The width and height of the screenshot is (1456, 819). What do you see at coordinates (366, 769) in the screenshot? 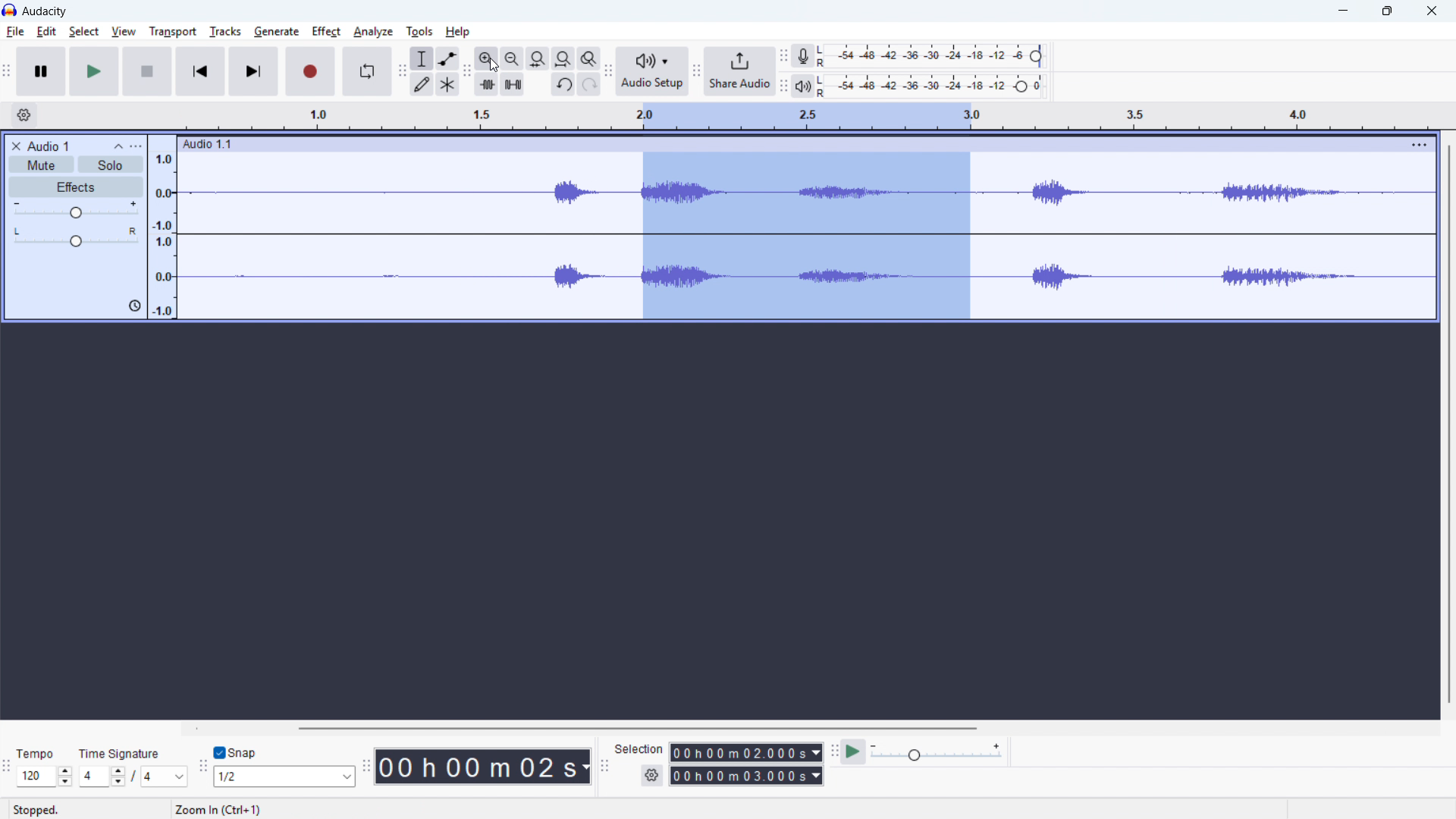
I see `Time toolbar ` at bounding box center [366, 769].